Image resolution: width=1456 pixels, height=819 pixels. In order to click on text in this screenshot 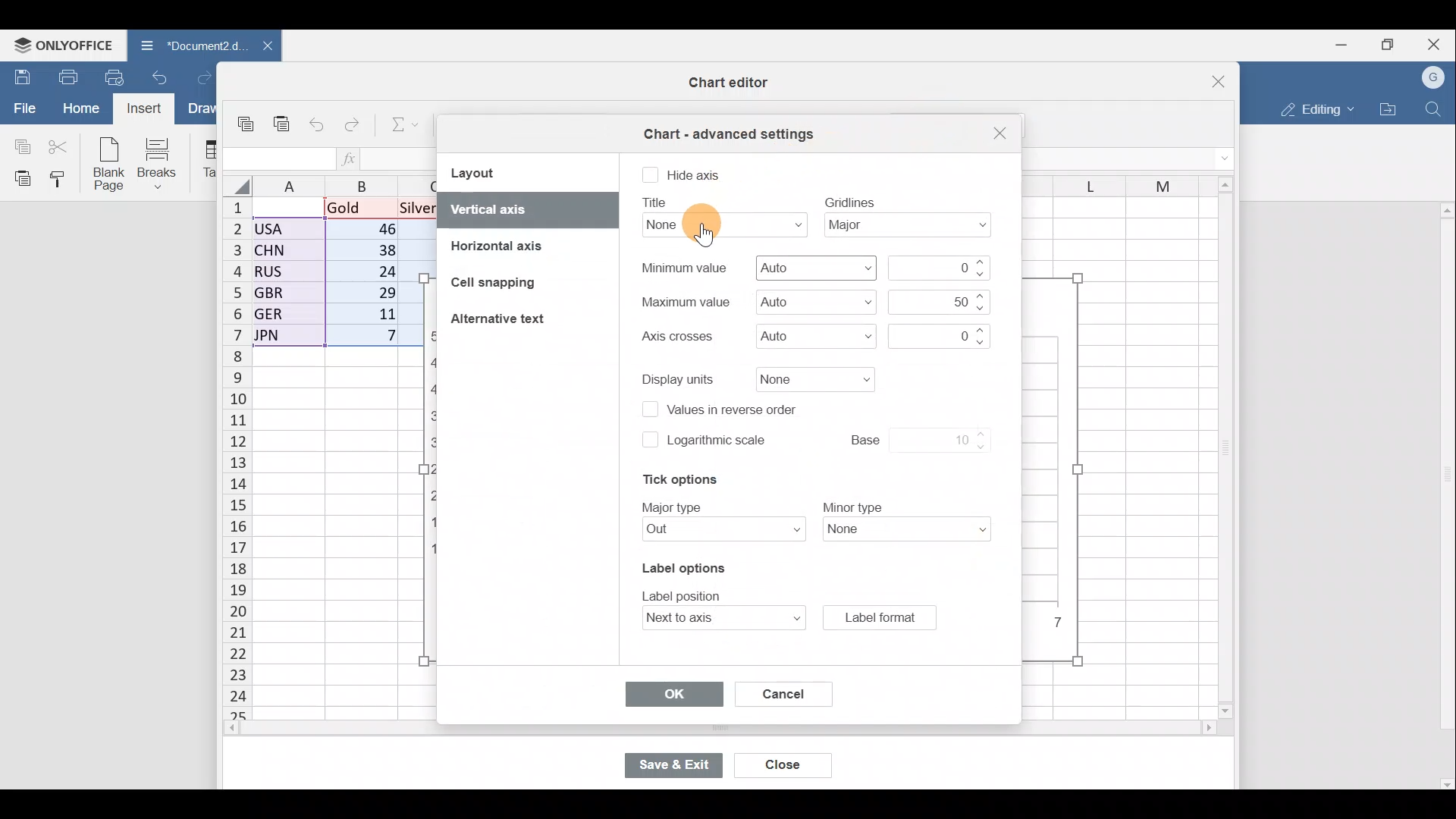, I will do `click(683, 268)`.